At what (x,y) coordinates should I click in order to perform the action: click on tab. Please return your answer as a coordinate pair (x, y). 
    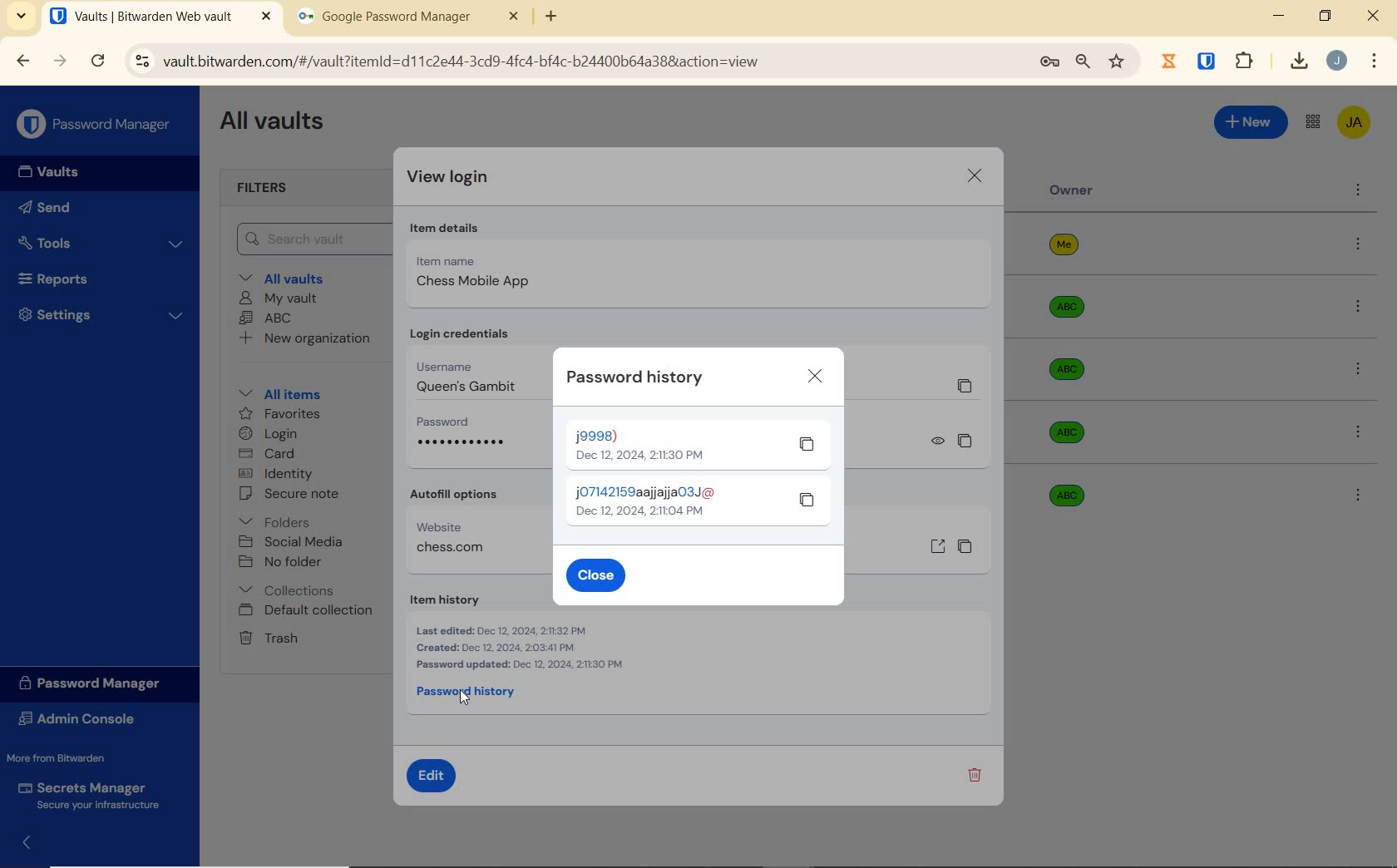
    Looking at the image, I should click on (411, 18).